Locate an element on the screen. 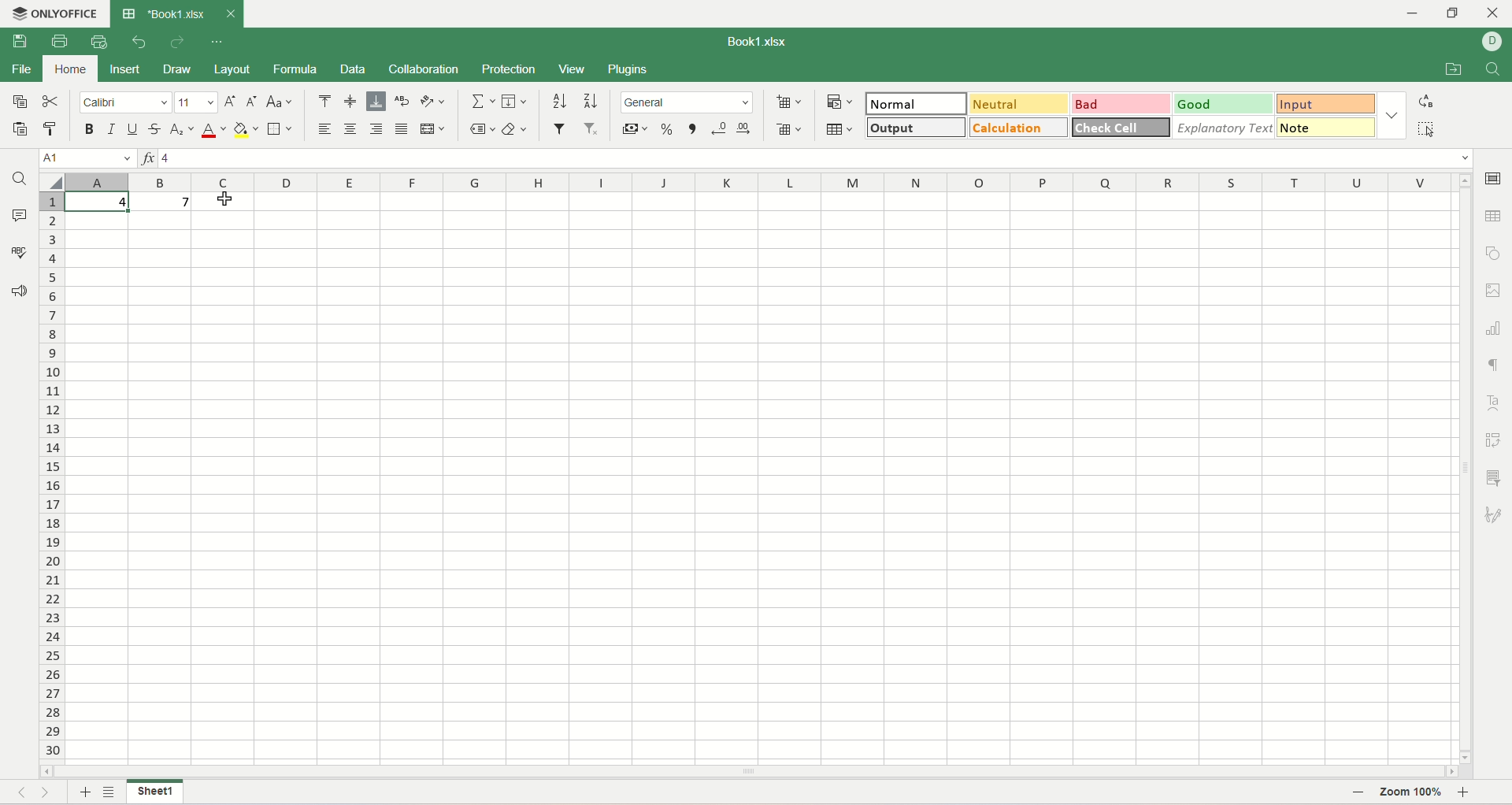  paragraph settings is located at coordinates (1499, 365).